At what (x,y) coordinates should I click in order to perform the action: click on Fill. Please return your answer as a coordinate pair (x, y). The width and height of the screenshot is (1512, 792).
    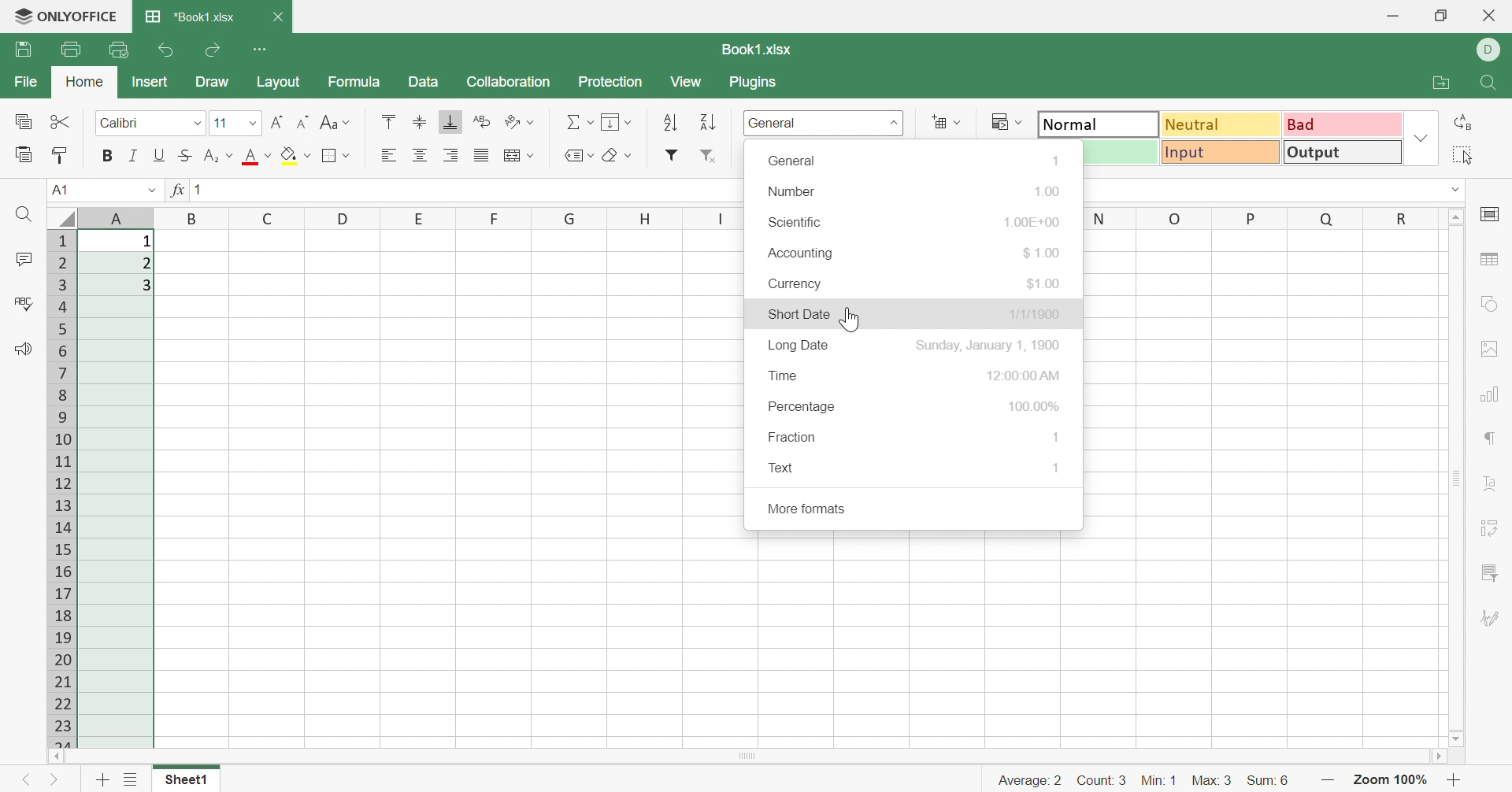
    Looking at the image, I should click on (615, 121).